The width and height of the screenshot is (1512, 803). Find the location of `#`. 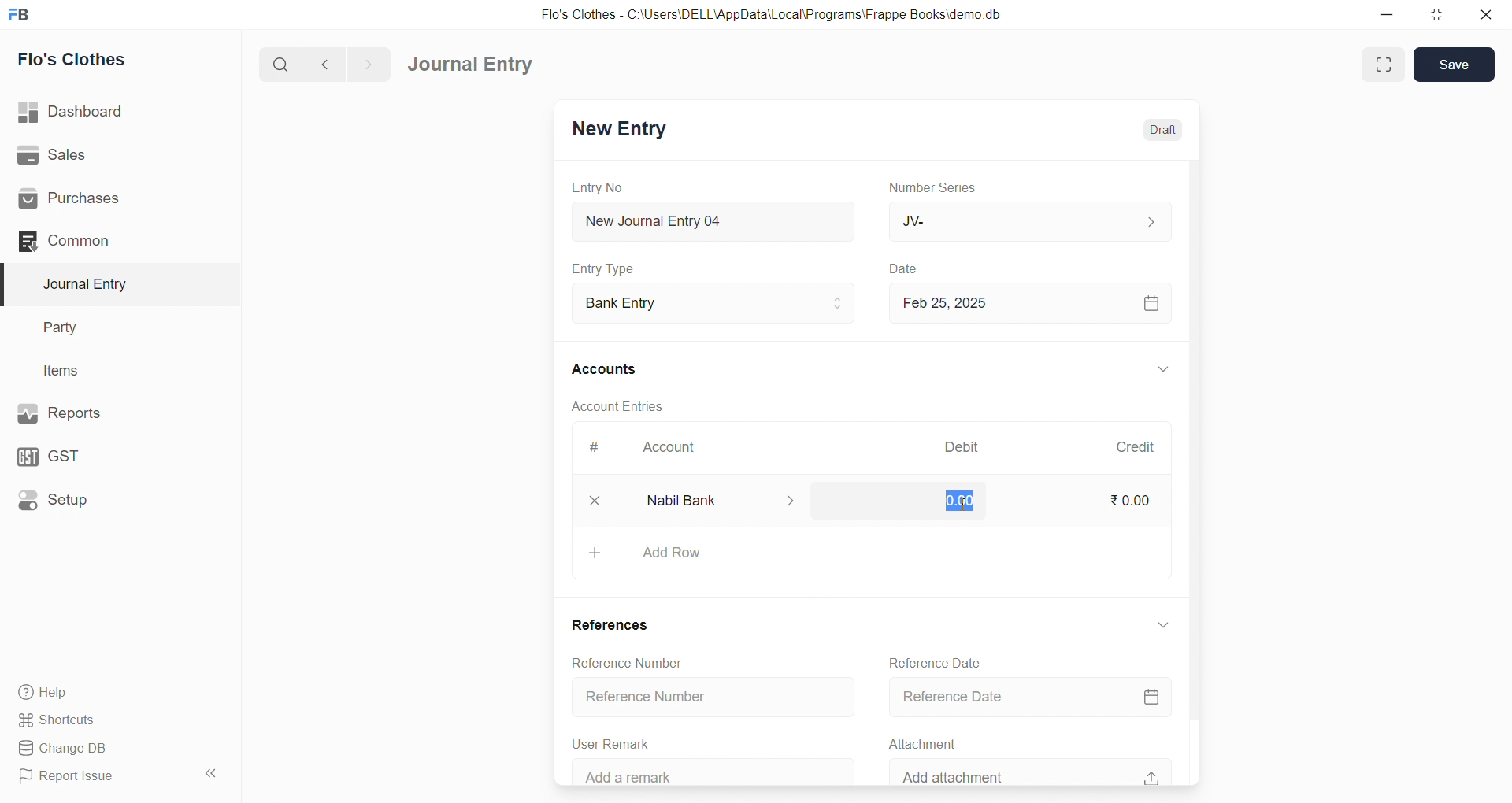

# is located at coordinates (595, 449).